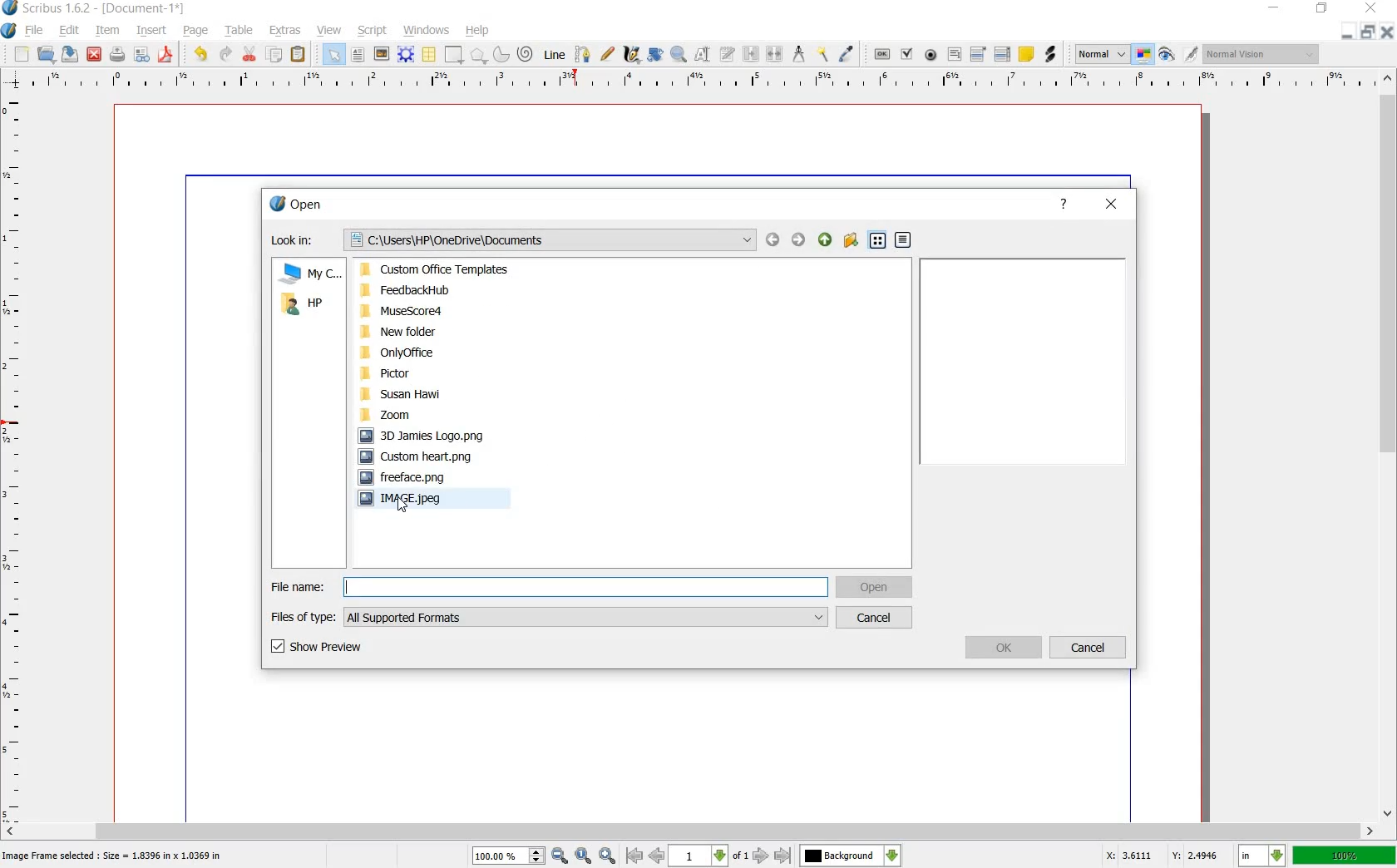 This screenshot has width=1397, height=868. What do you see at coordinates (1098, 52) in the screenshot?
I see `select the image preview quality` at bounding box center [1098, 52].